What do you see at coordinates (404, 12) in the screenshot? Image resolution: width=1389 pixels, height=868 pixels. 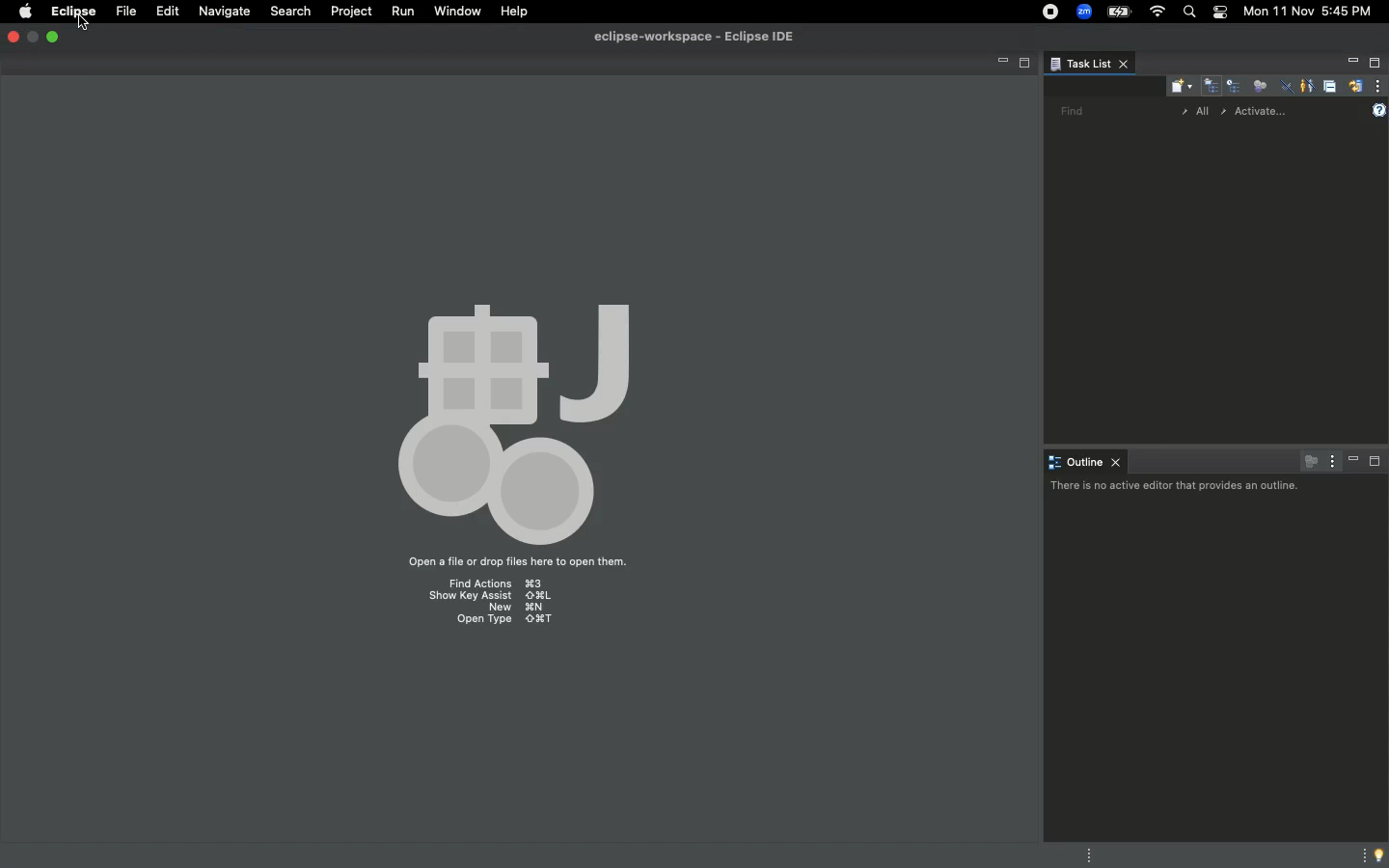 I see `Run` at bounding box center [404, 12].